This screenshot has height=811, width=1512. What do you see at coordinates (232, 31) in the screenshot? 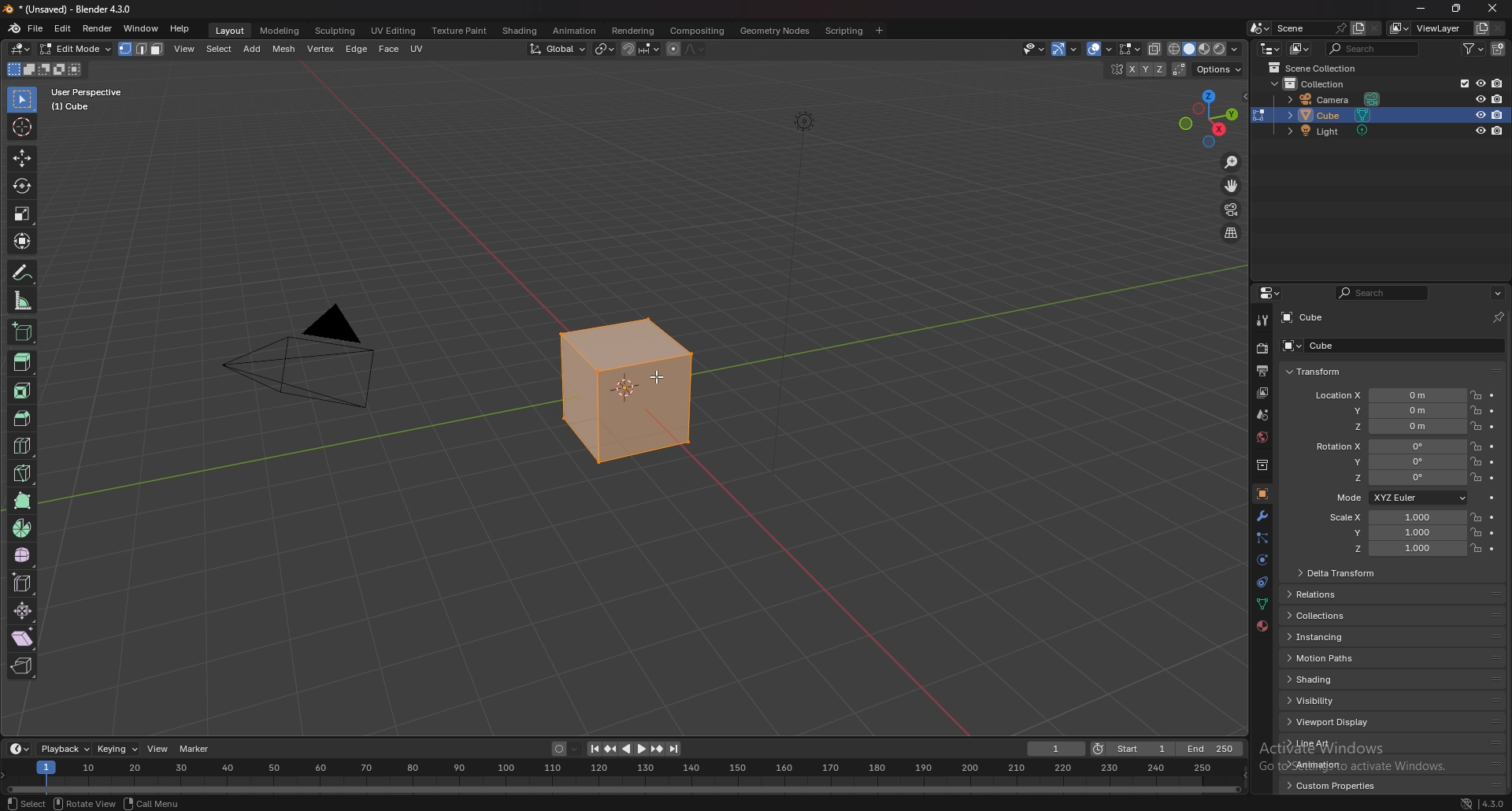
I see `layout` at bounding box center [232, 31].